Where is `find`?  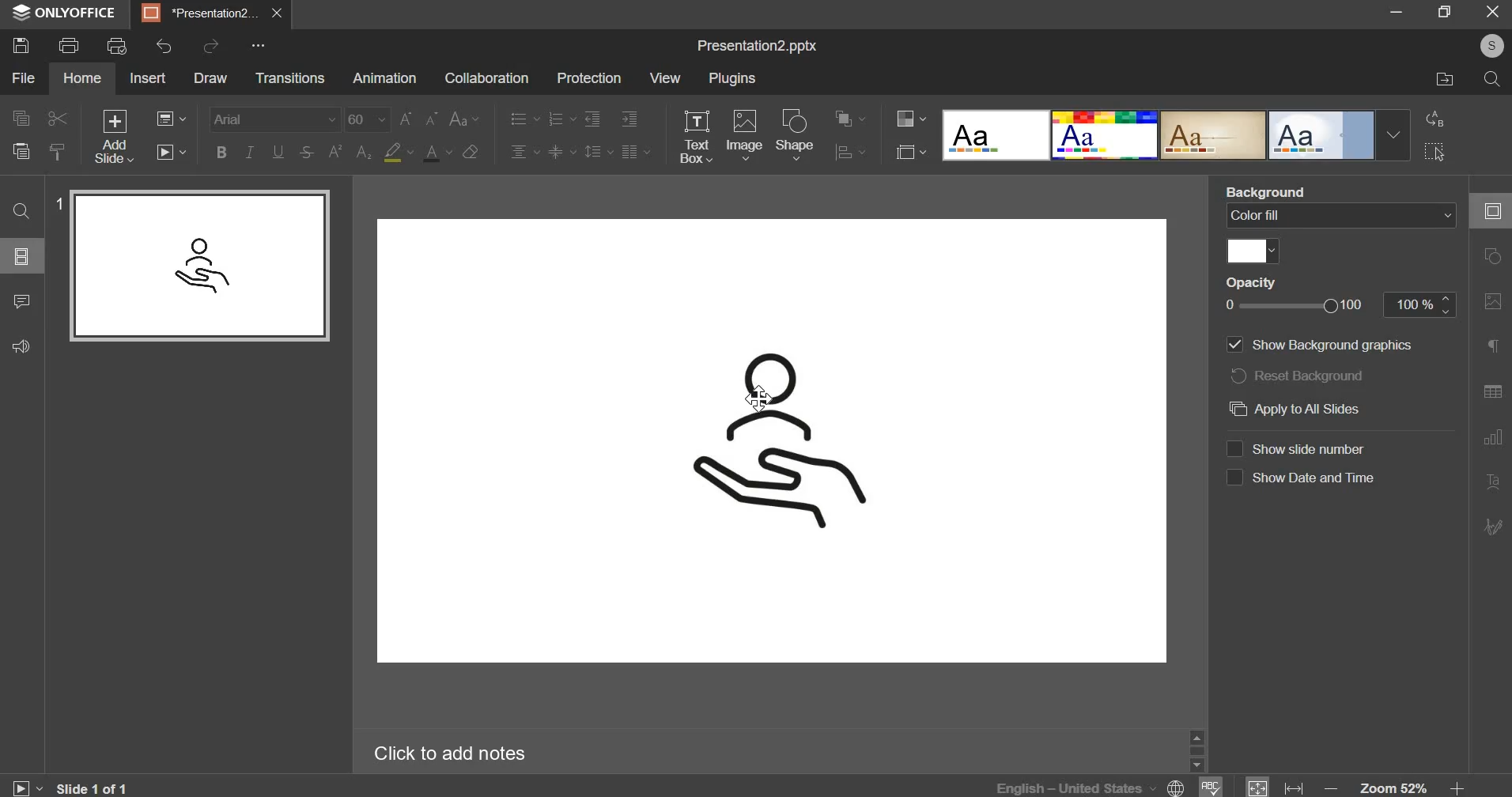
find is located at coordinates (19, 211).